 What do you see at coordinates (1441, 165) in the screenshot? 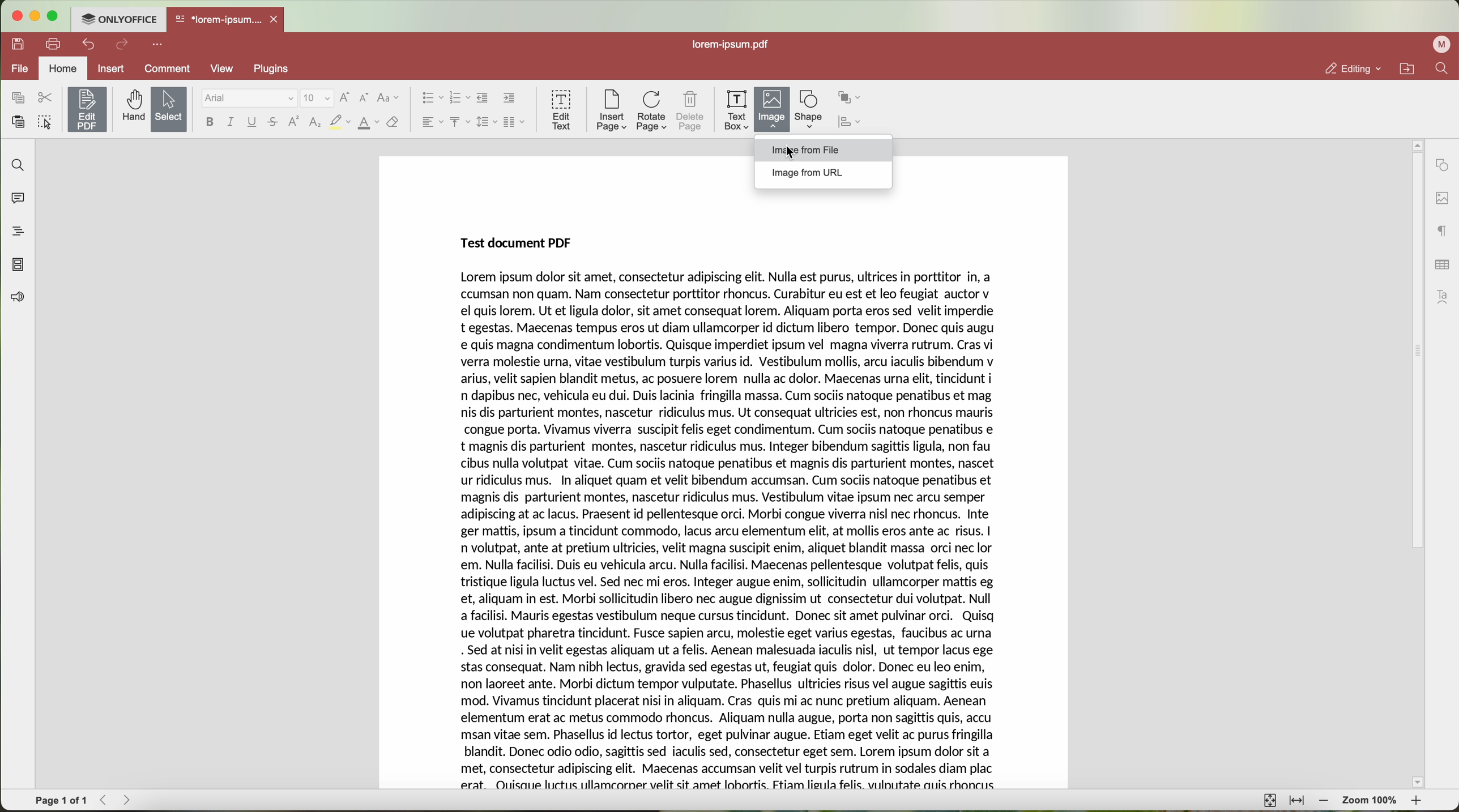
I see `shape settings` at bounding box center [1441, 165].